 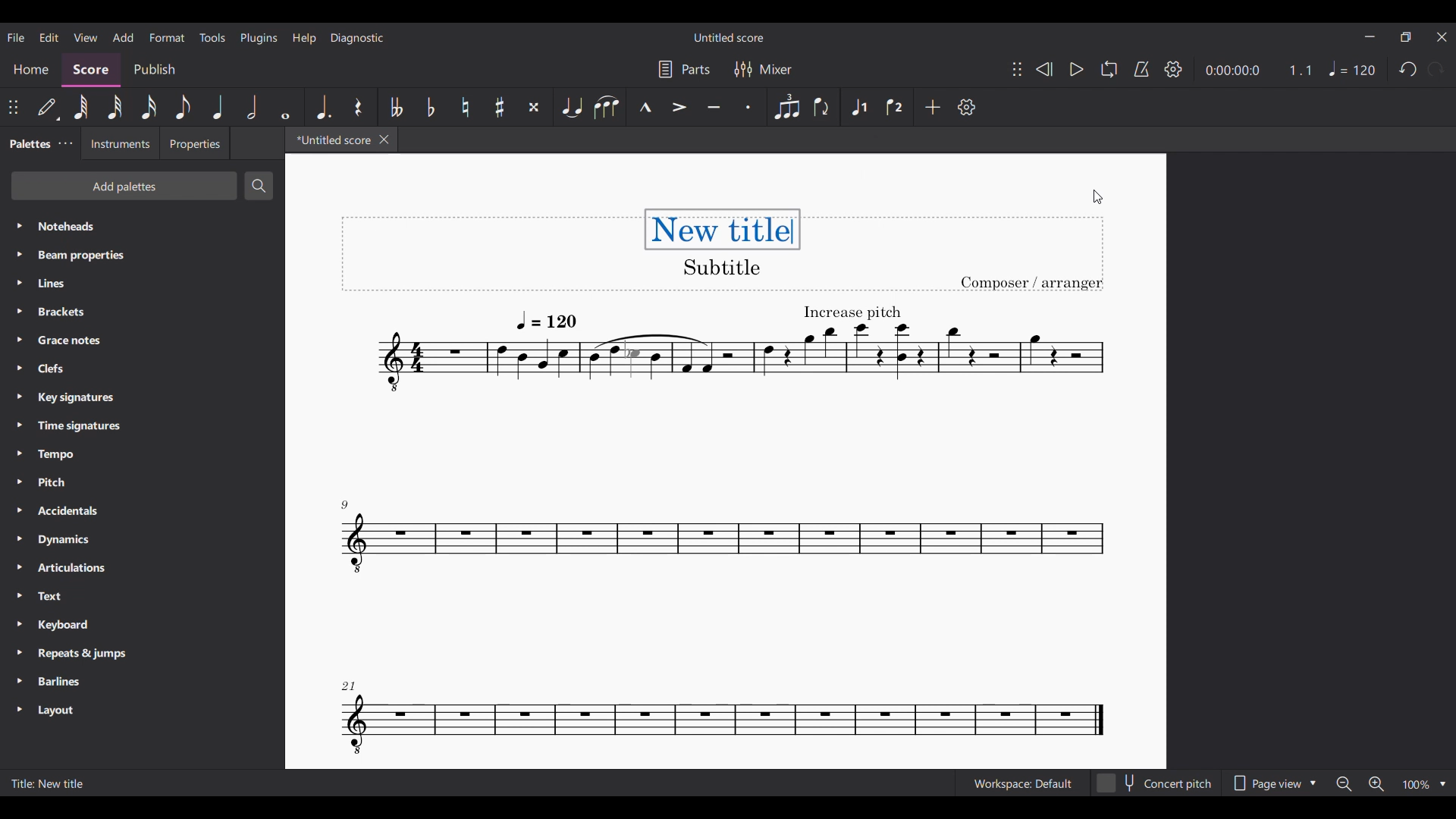 What do you see at coordinates (1141, 69) in the screenshot?
I see `Metronome` at bounding box center [1141, 69].